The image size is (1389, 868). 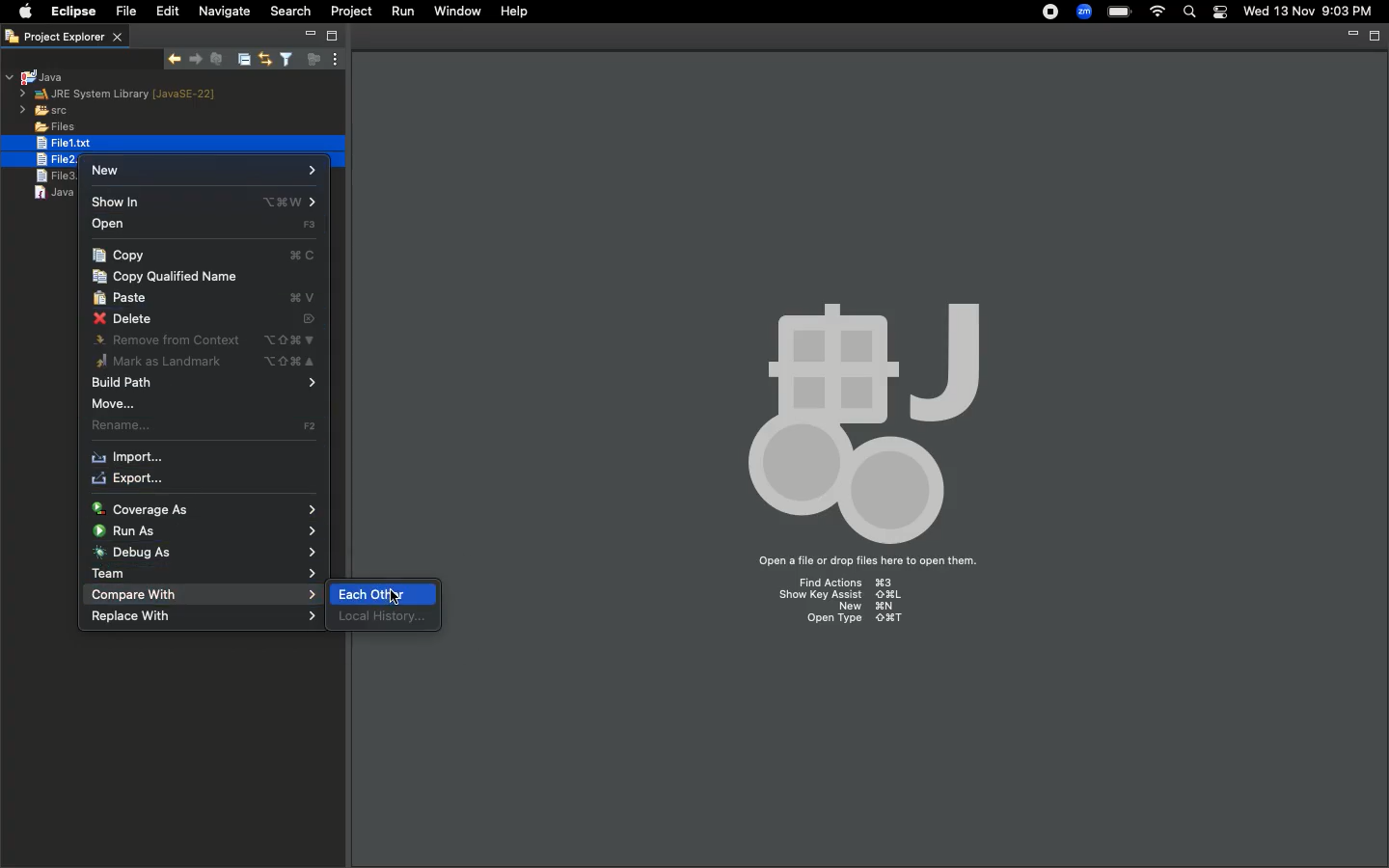 I want to click on Show key assist, so click(x=840, y=596).